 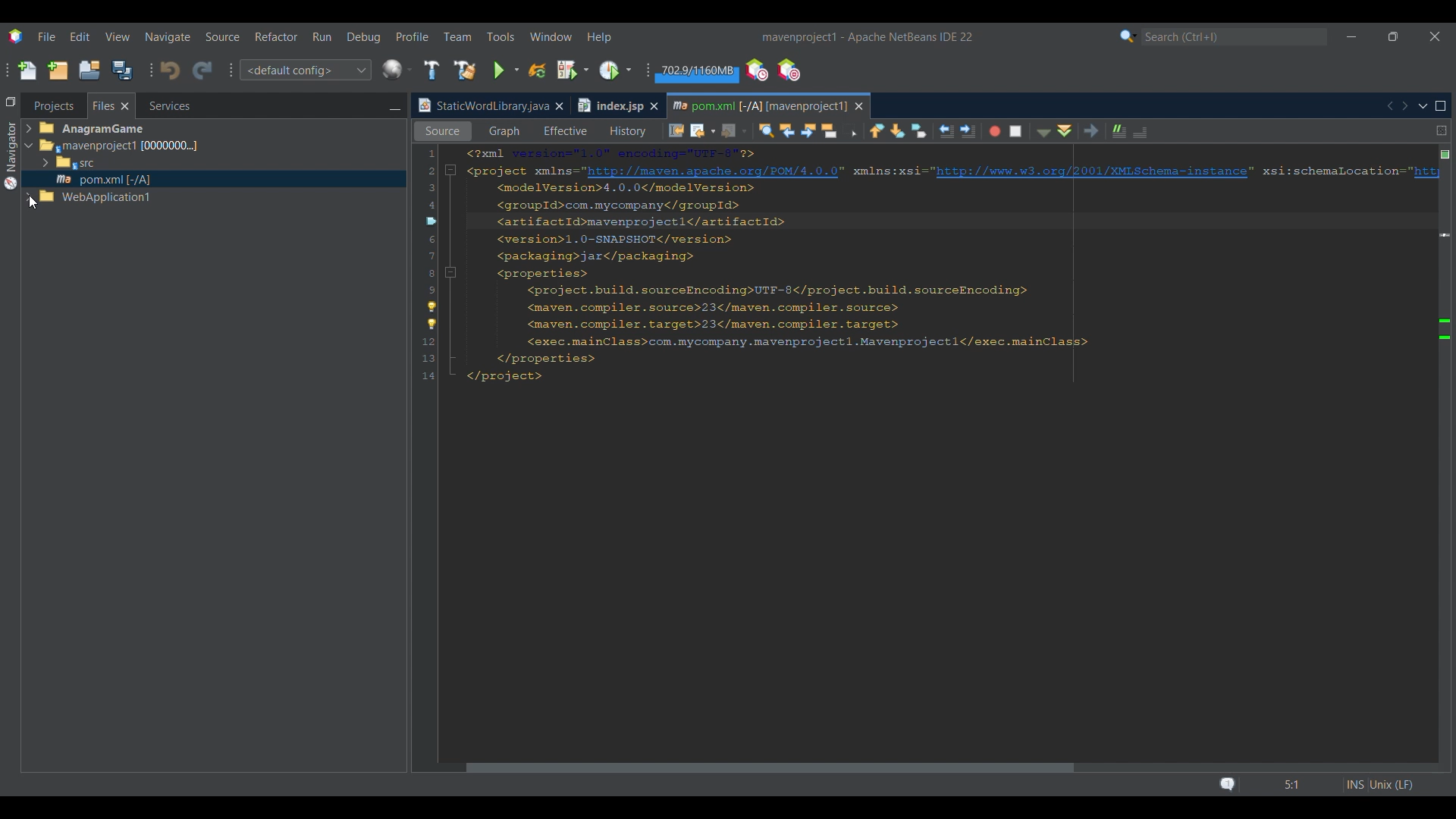 I want to click on Open project, so click(x=89, y=70).